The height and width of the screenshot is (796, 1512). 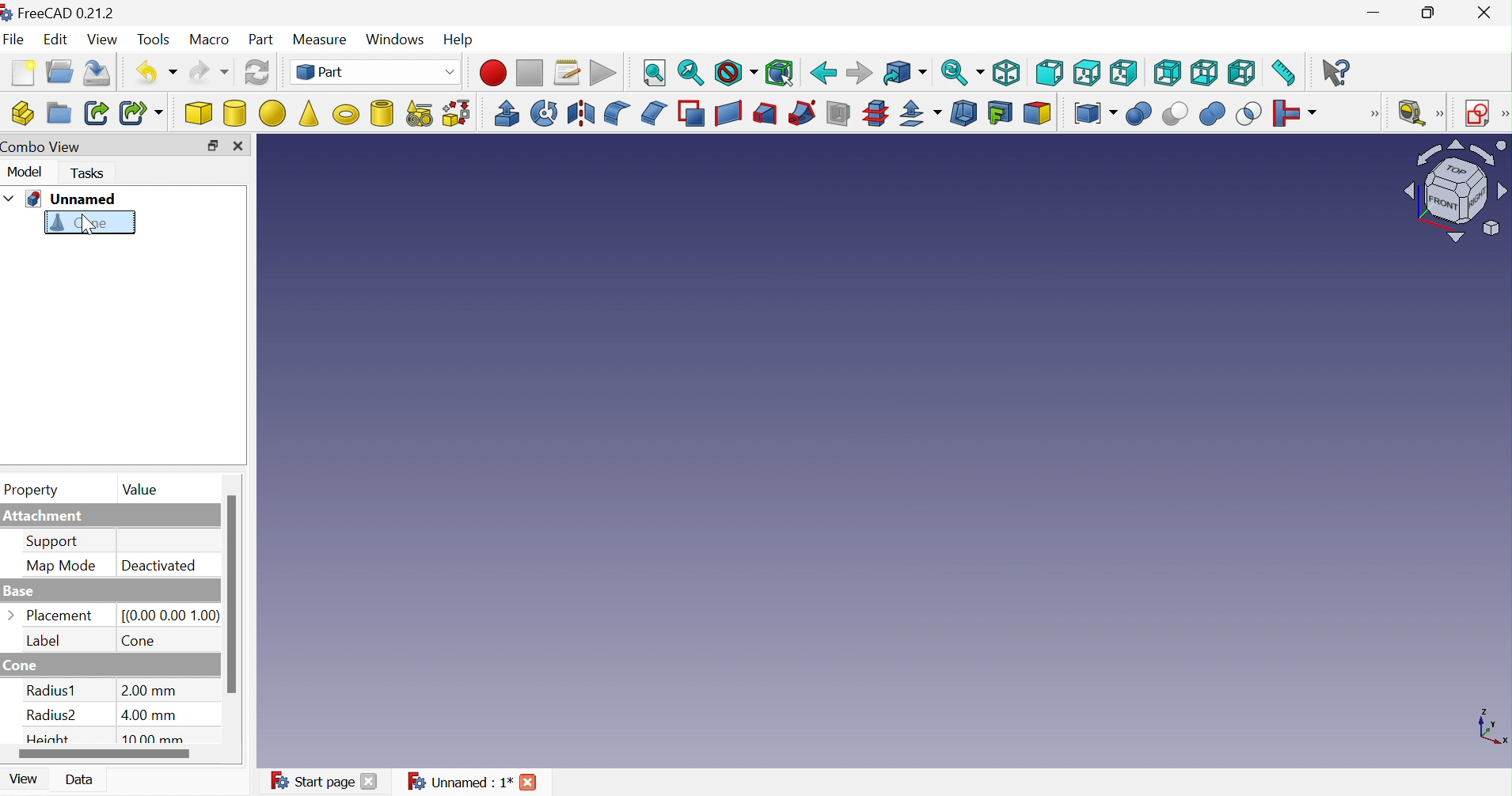 I want to click on Restore down, so click(x=1428, y=15).